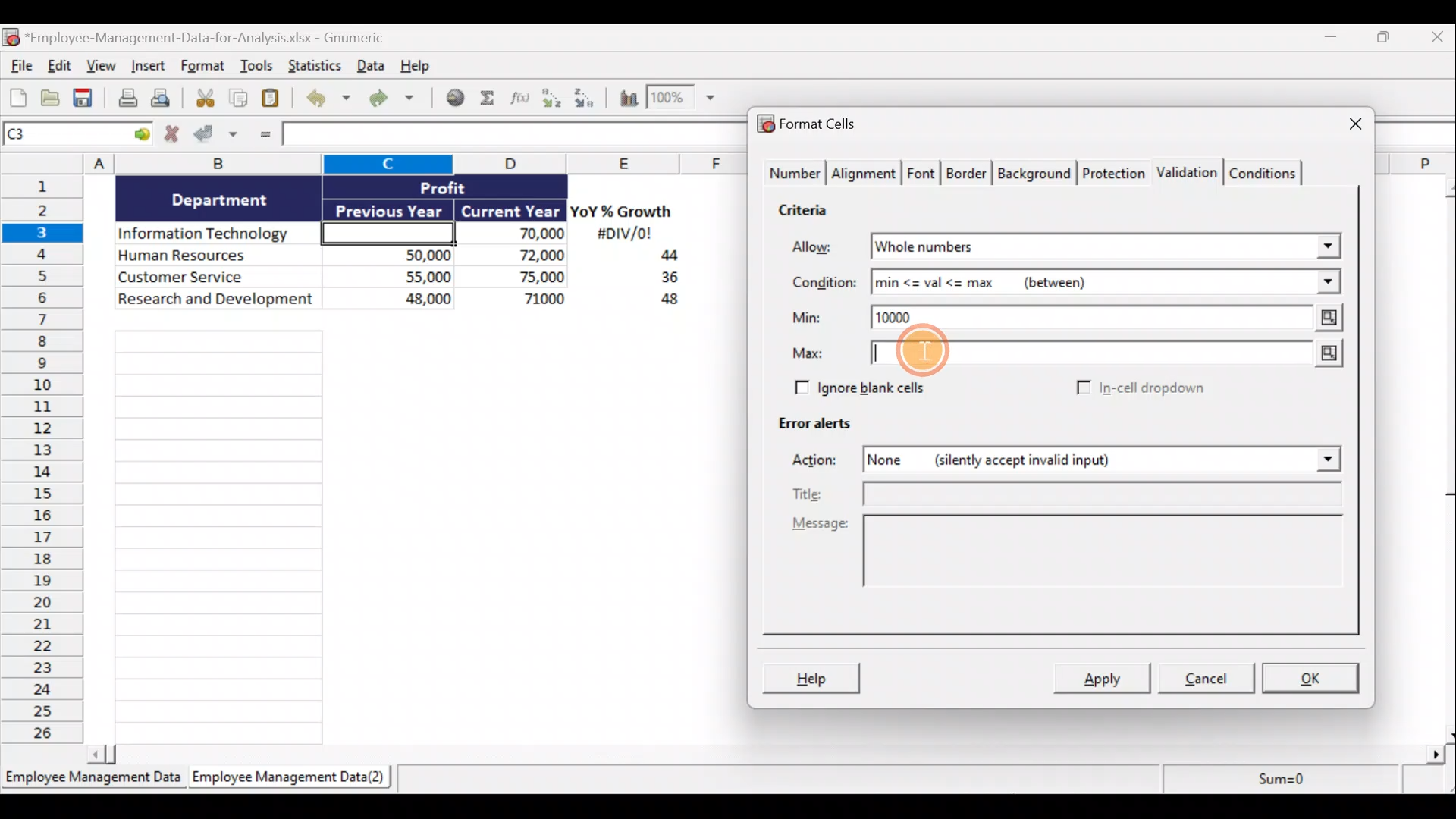 This screenshot has width=1456, height=819. What do you see at coordinates (1086, 285) in the screenshot?
I see `min <= val <= max (between)` at bounding box center [1086, 285].